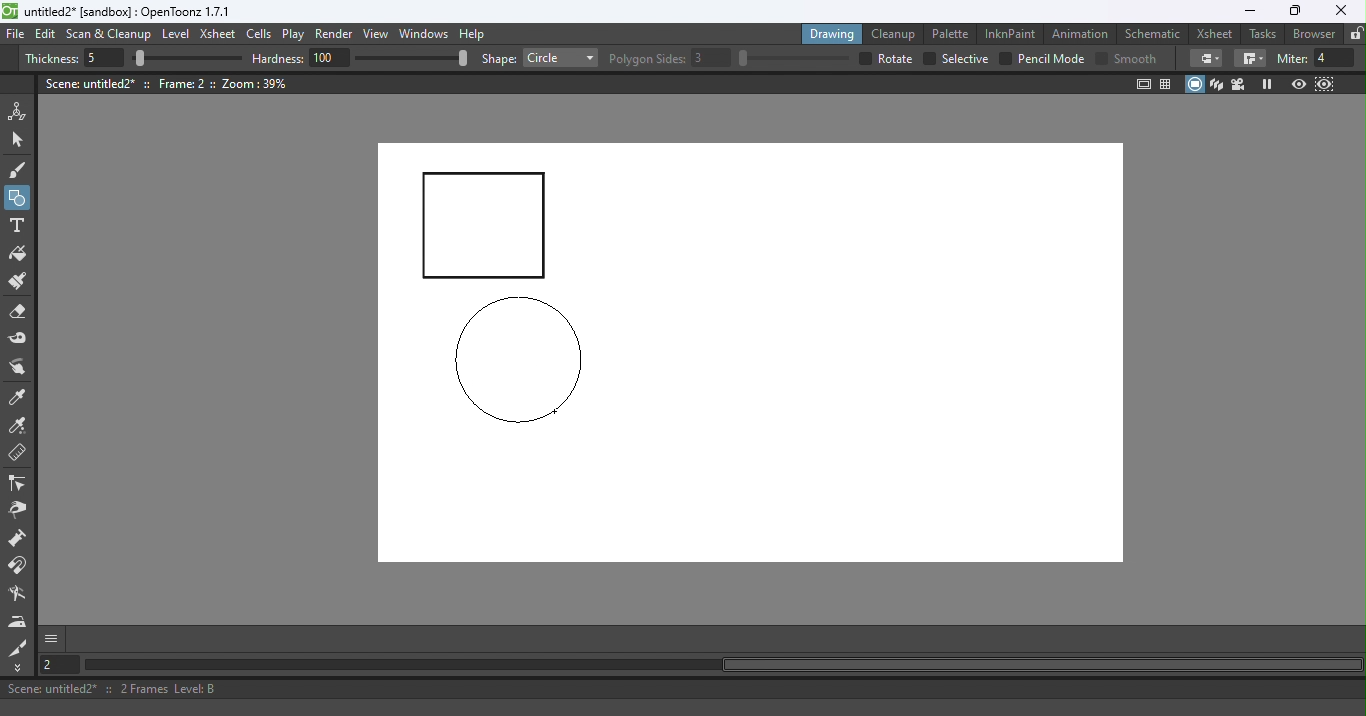 This screenshot has height=716, width=1366. What do you see at coordinates (176, 35) in the screenshot?
I see `Level` at bounding box center [176, 35].